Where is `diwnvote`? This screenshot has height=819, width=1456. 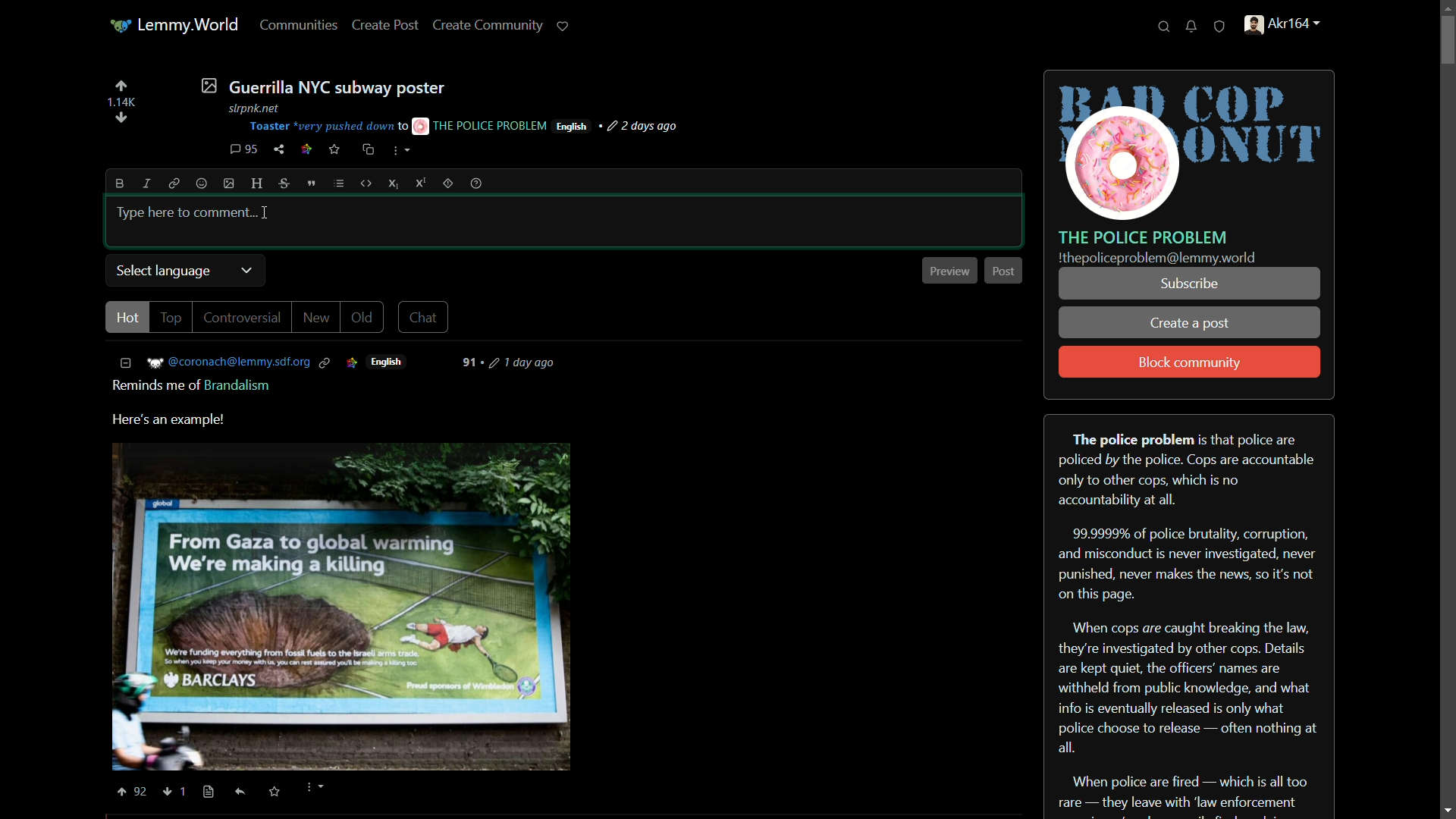
diwnvote is located at coordinates (121, 119).